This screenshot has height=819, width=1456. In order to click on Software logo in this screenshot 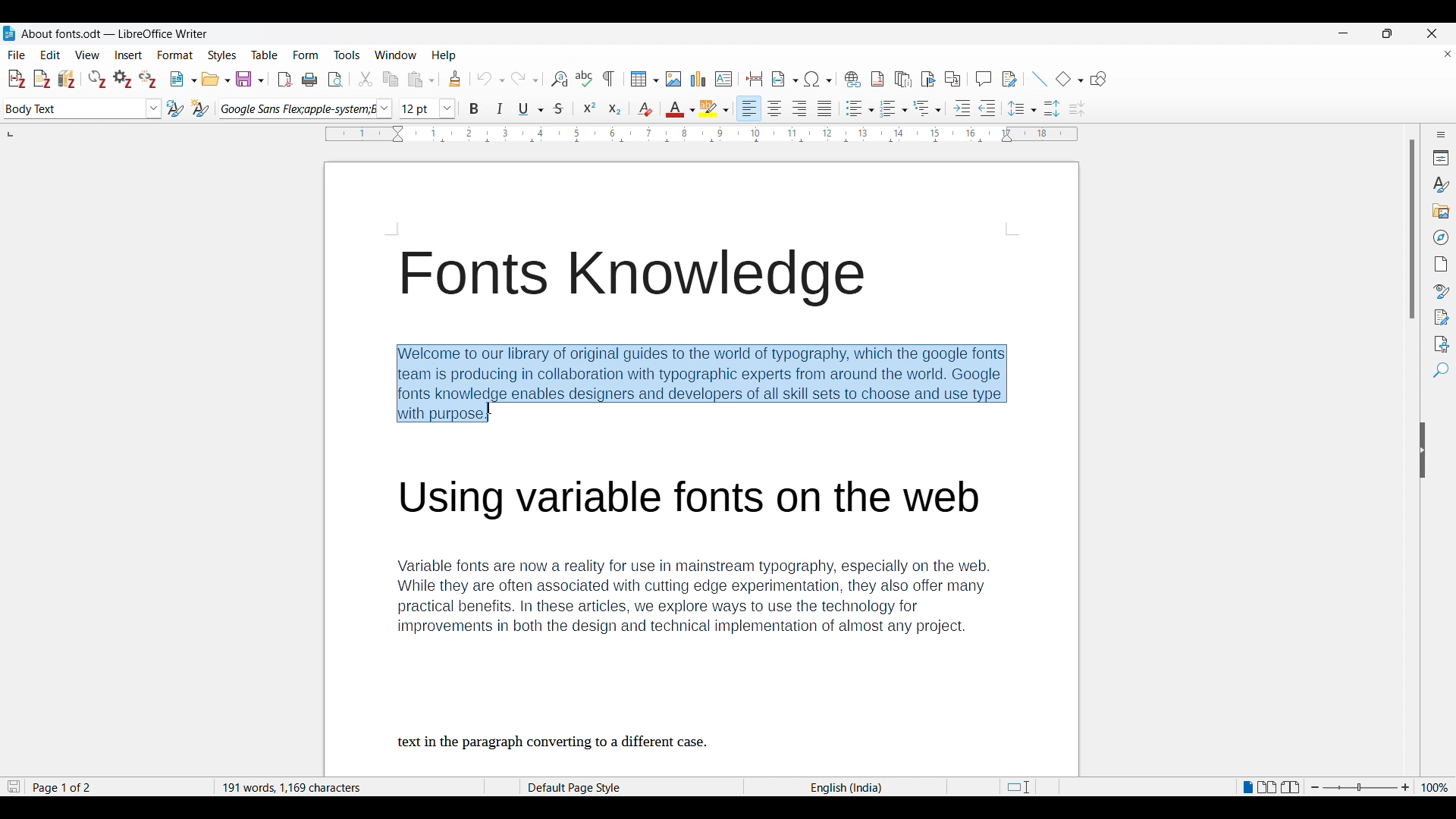, I will do `click(9, 33)`.